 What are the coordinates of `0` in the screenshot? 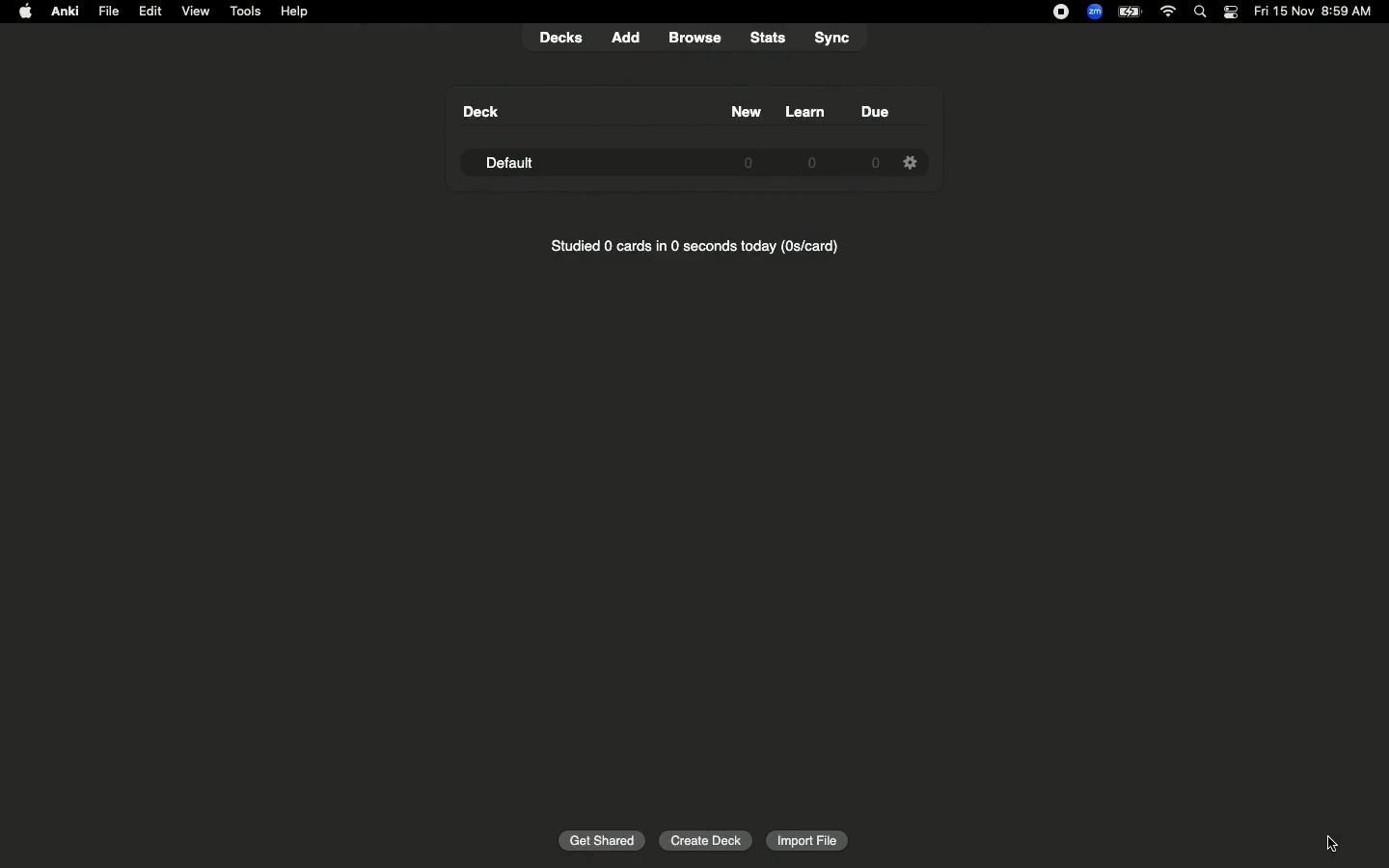 It's located at (874, 161).